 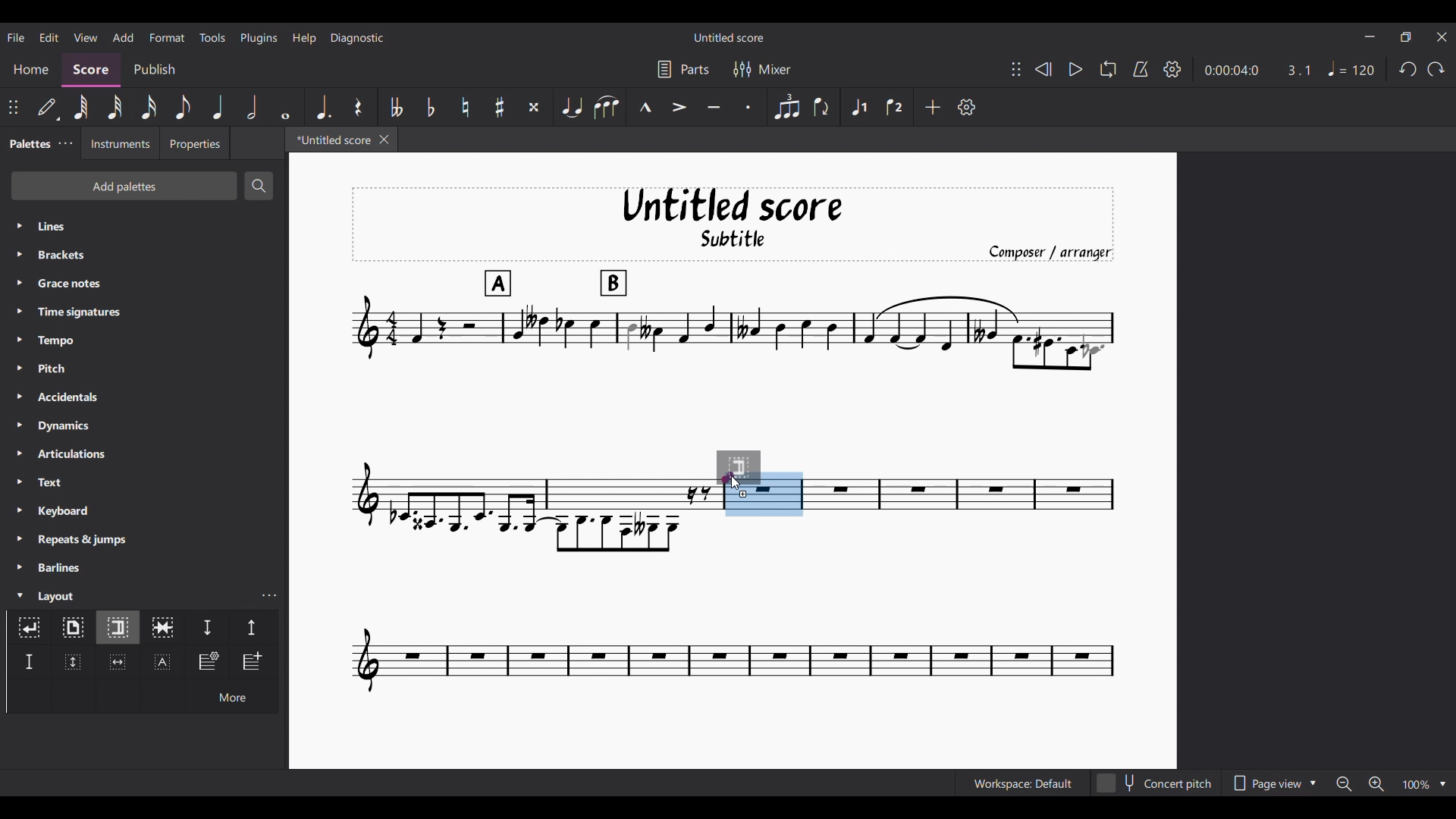 I want to click on Tuplet, so click(x=788, y=107).